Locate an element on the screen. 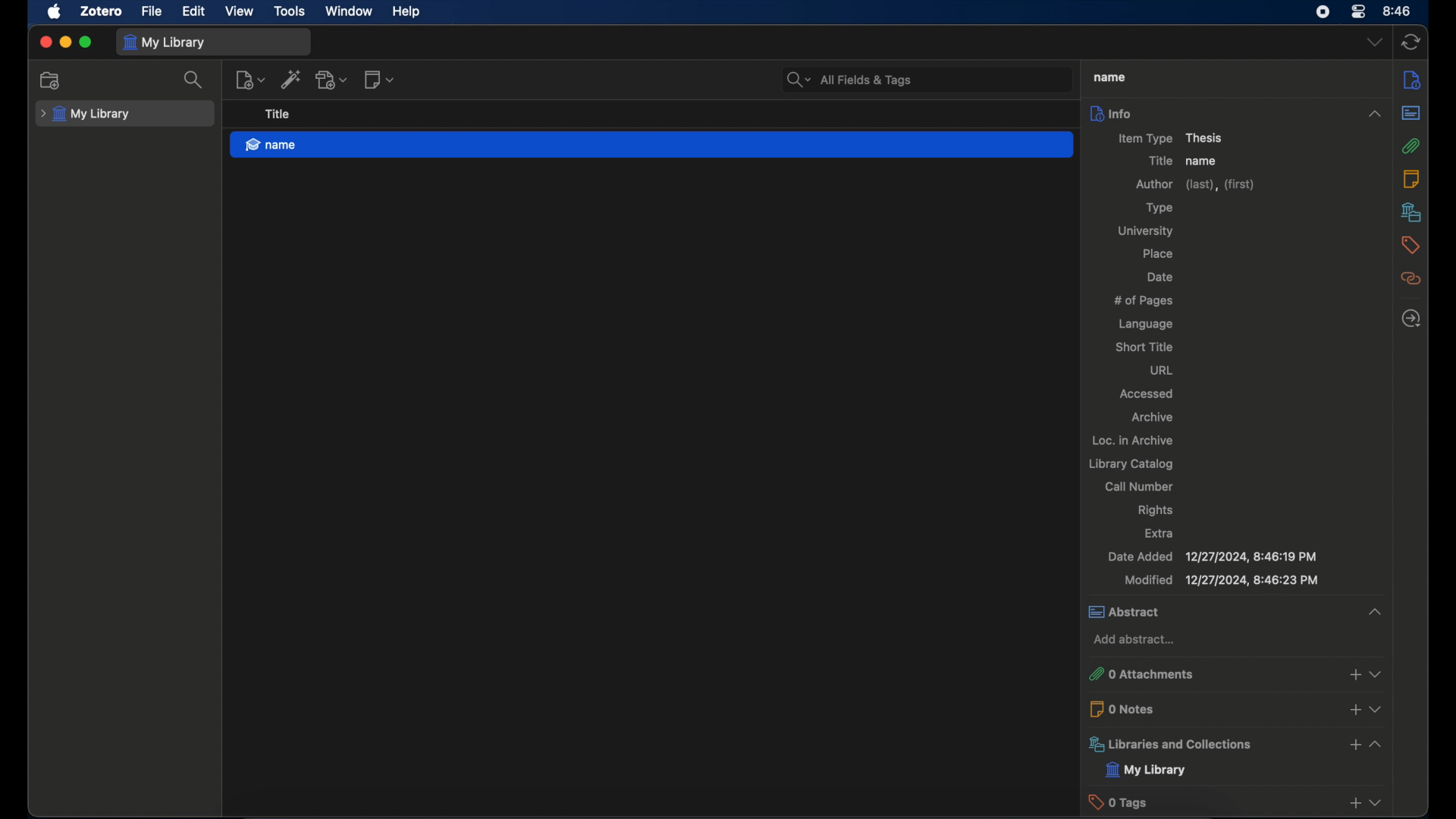 This screenshot has width=1456, height=819. extra is located at coordinates (1159, 532).